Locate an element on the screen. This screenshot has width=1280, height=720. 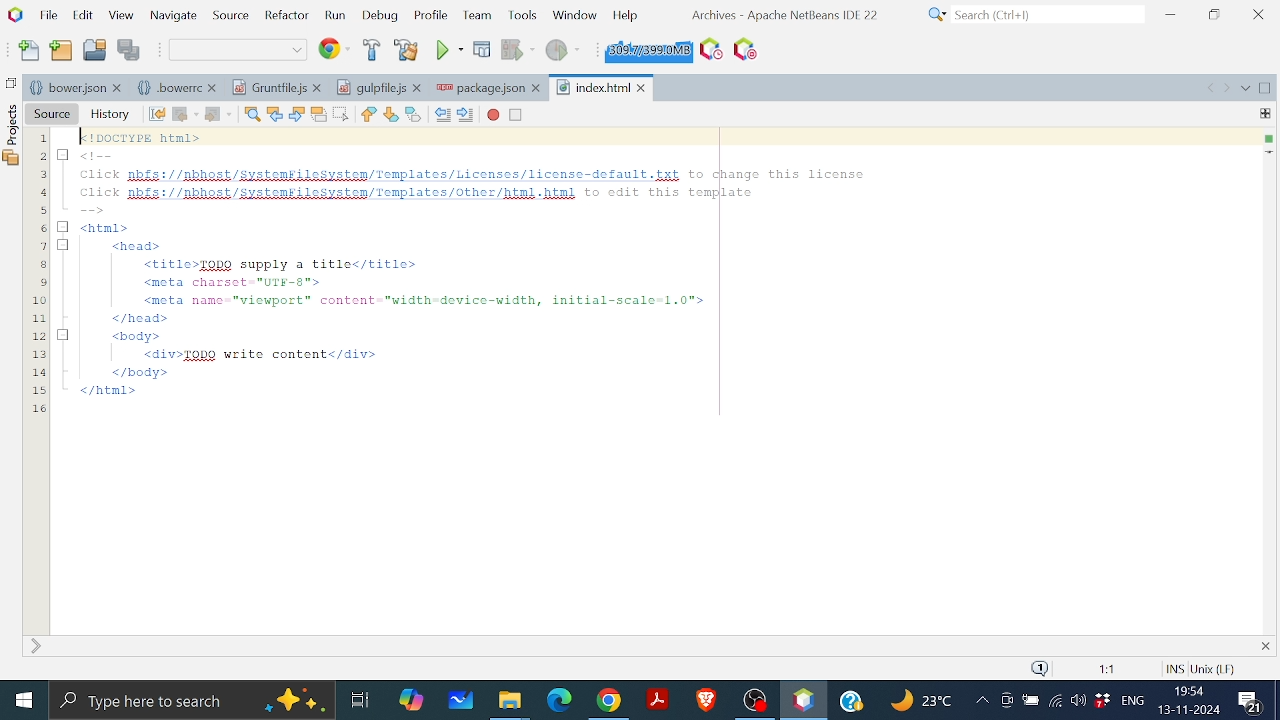
expand sidebar is located at coordinates (34, 646).